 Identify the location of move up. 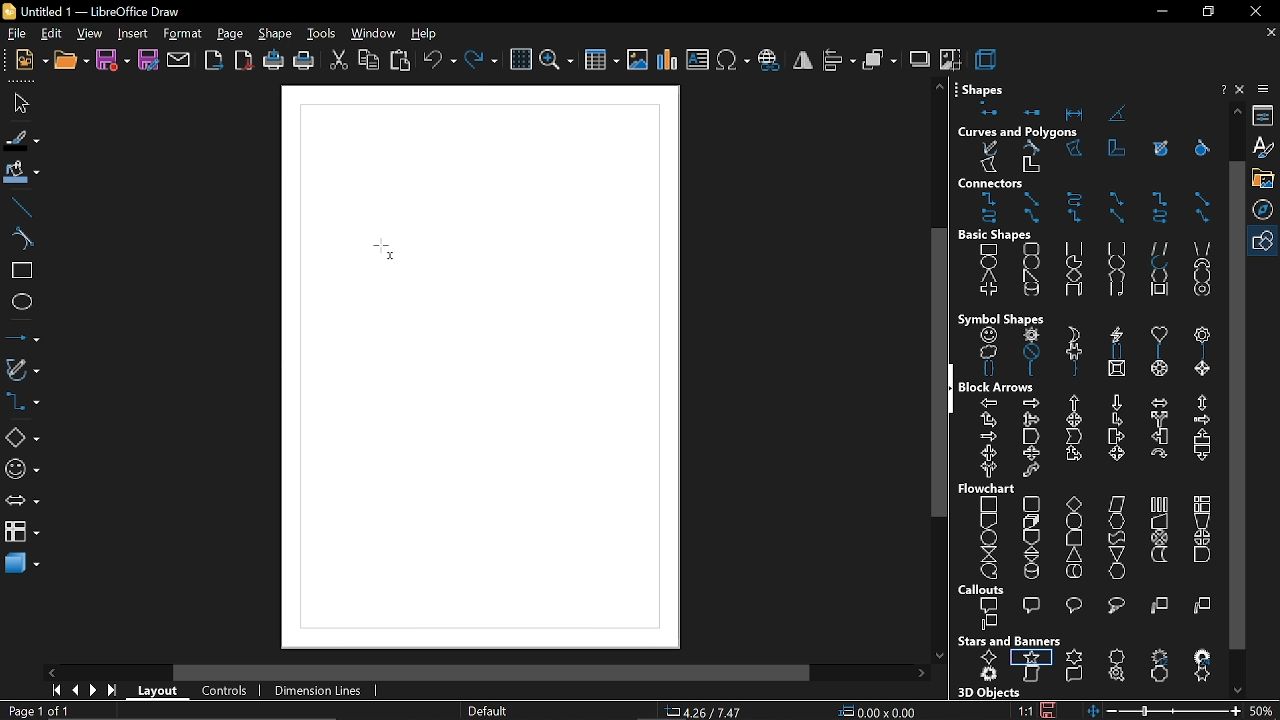
(940, 88).